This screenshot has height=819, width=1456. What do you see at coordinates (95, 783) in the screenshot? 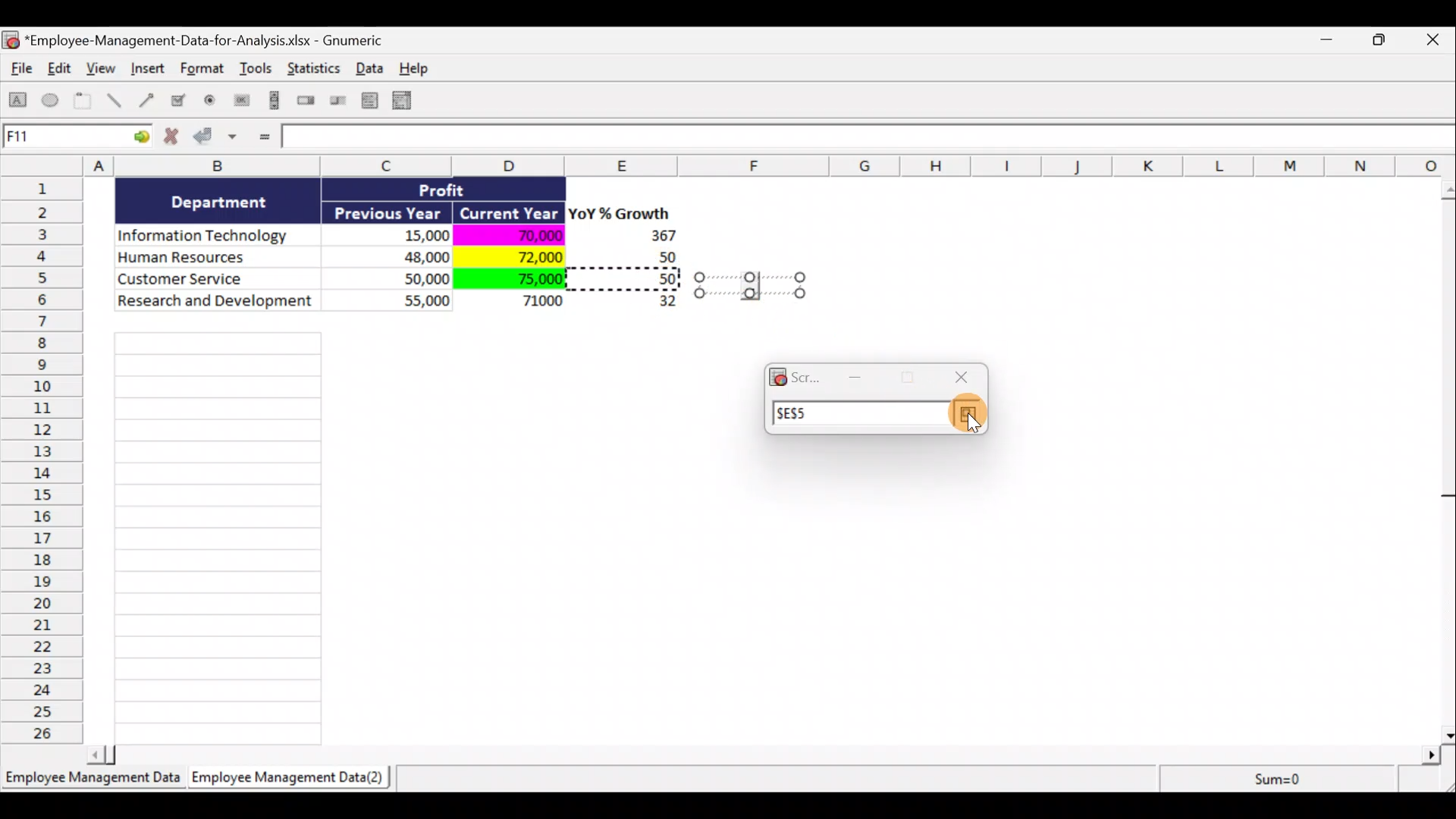
I see `Sheet 1` at bounding box center [95, 783].